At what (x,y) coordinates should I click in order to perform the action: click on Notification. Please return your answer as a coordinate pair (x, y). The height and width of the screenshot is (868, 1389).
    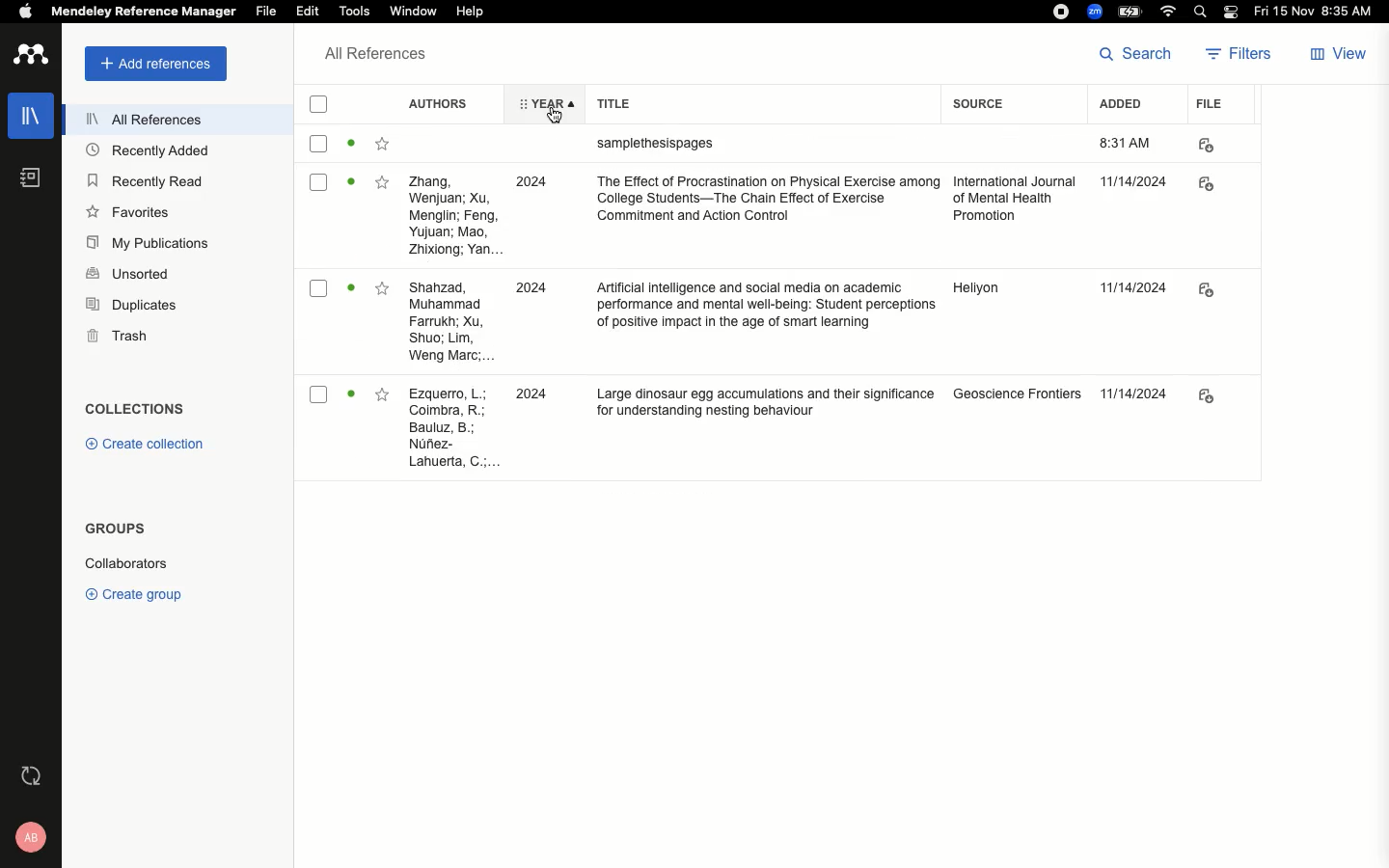
    Looking at the image, I should click on (1232, 13).